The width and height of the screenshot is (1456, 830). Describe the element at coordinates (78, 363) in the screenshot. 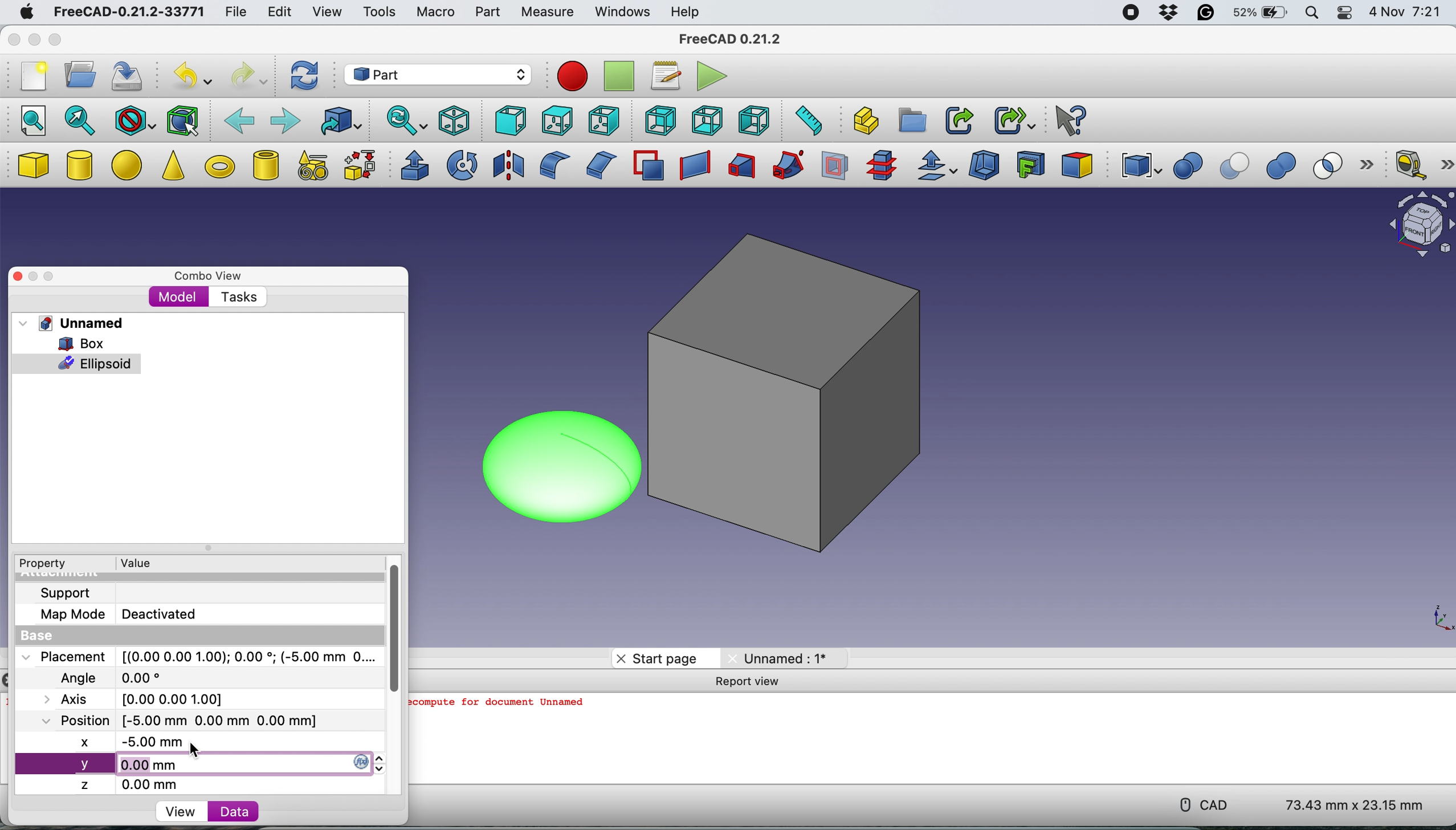

I see `ellpsoid` at that location.